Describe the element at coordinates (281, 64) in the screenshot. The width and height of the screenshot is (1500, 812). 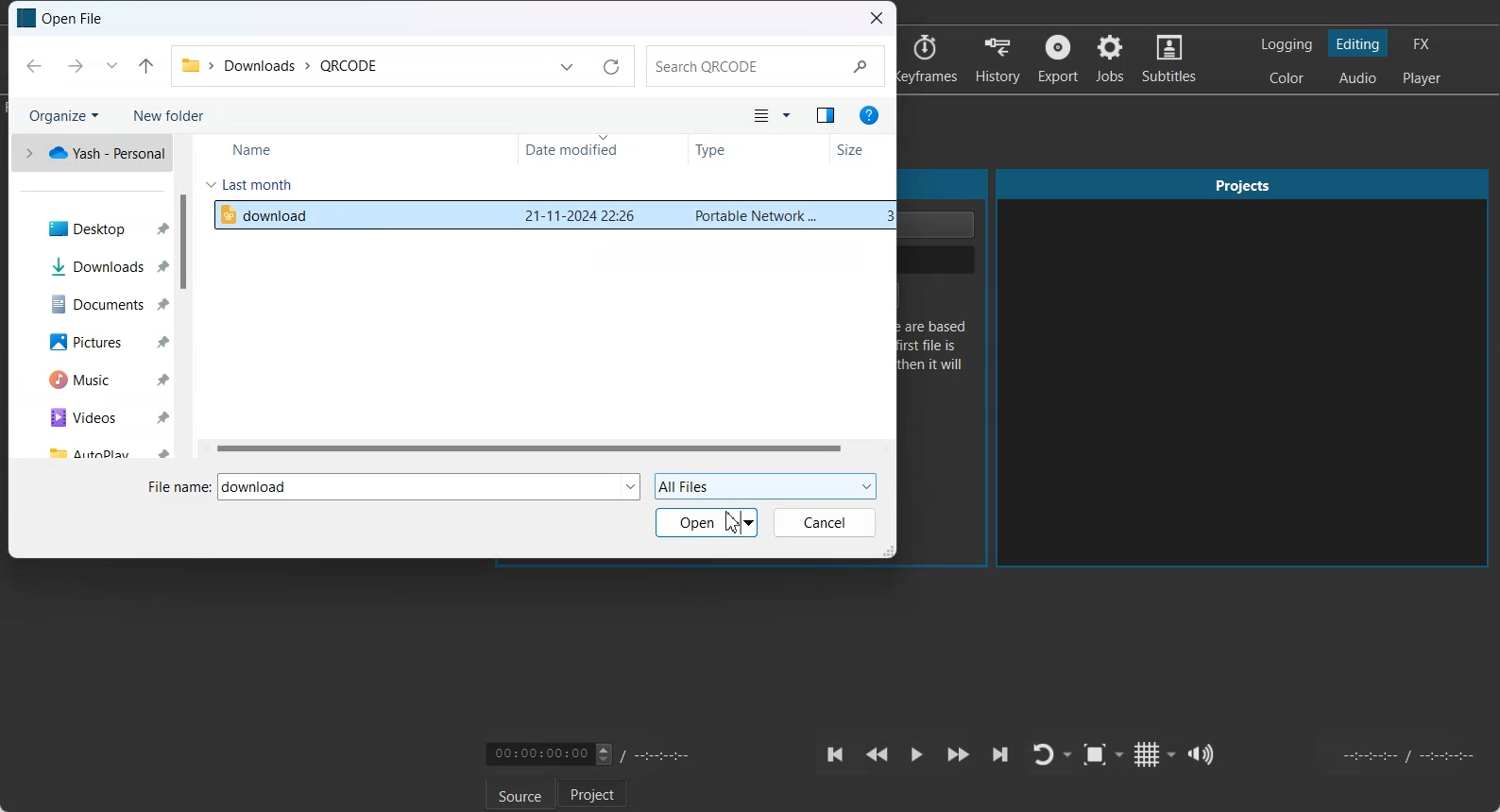
I see `File Path address` at that location.